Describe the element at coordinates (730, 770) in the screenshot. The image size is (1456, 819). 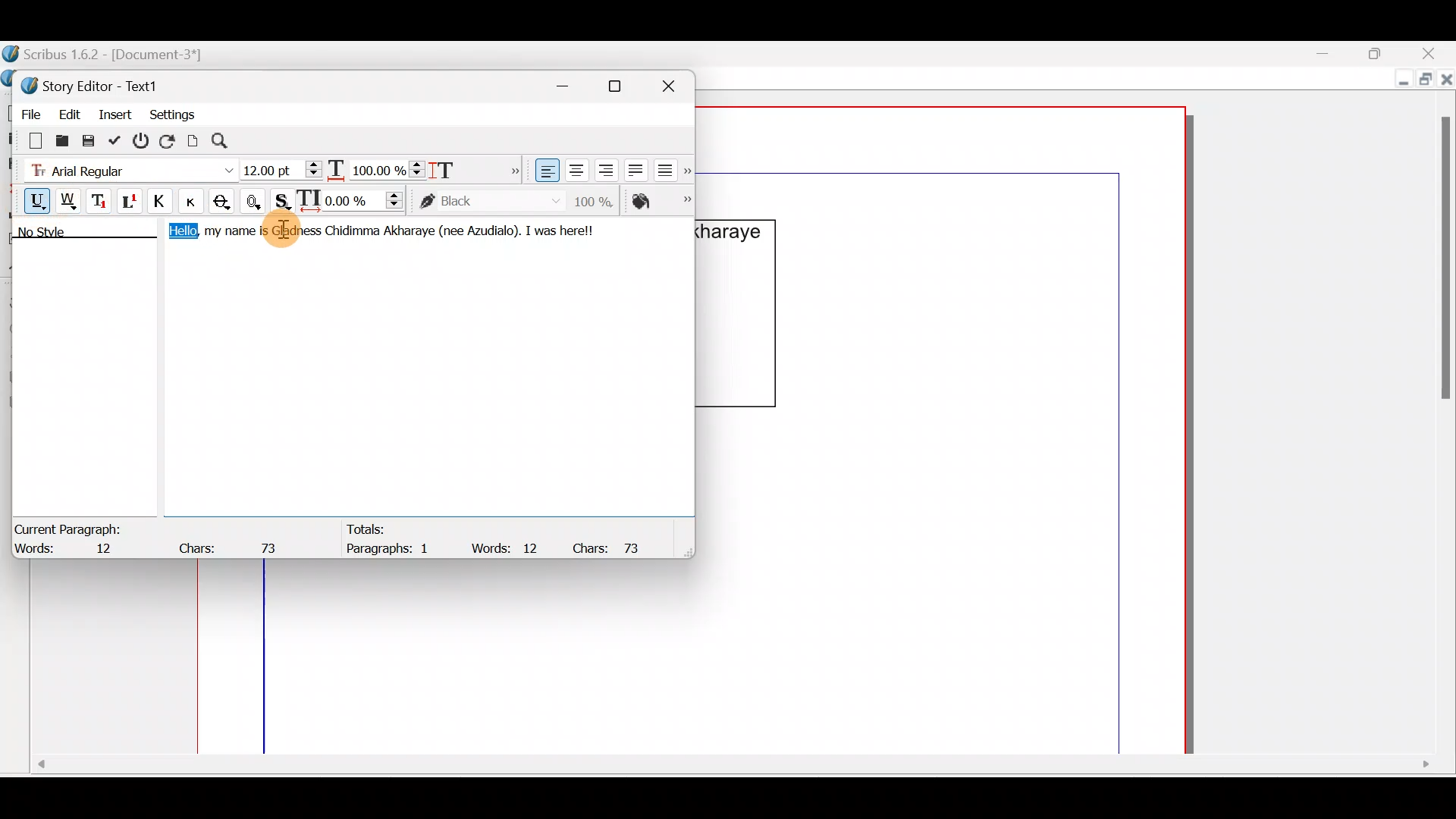
I see `Scroll bar` at that location.